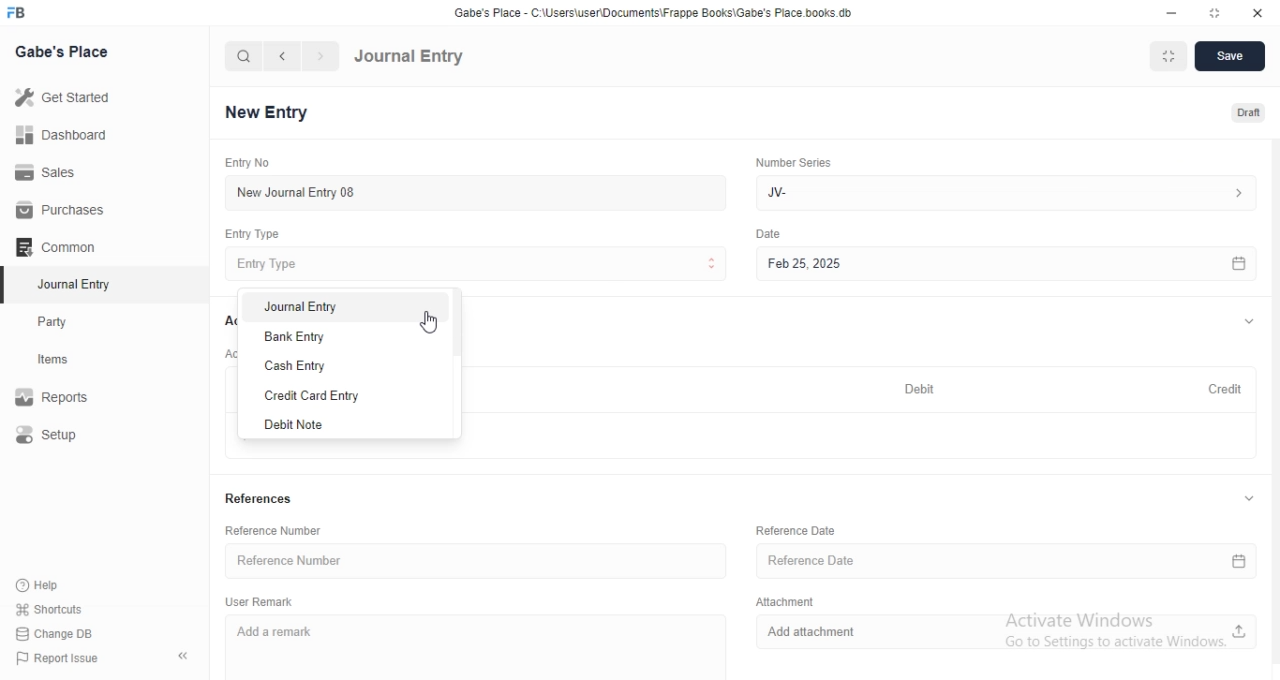  I want to click on Attachment, so click(782, 601).